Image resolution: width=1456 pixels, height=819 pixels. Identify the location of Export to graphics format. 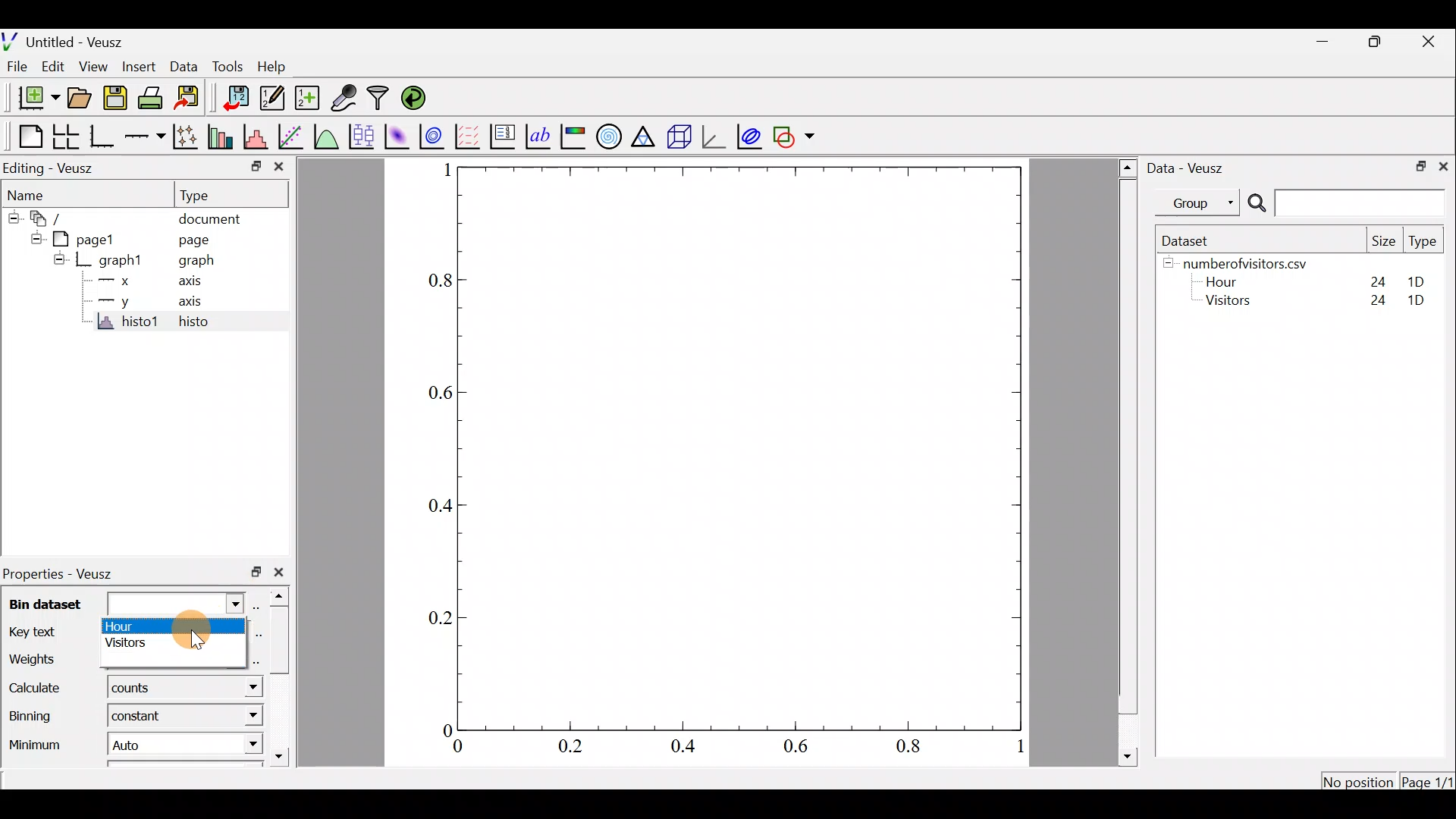
(193, 99).